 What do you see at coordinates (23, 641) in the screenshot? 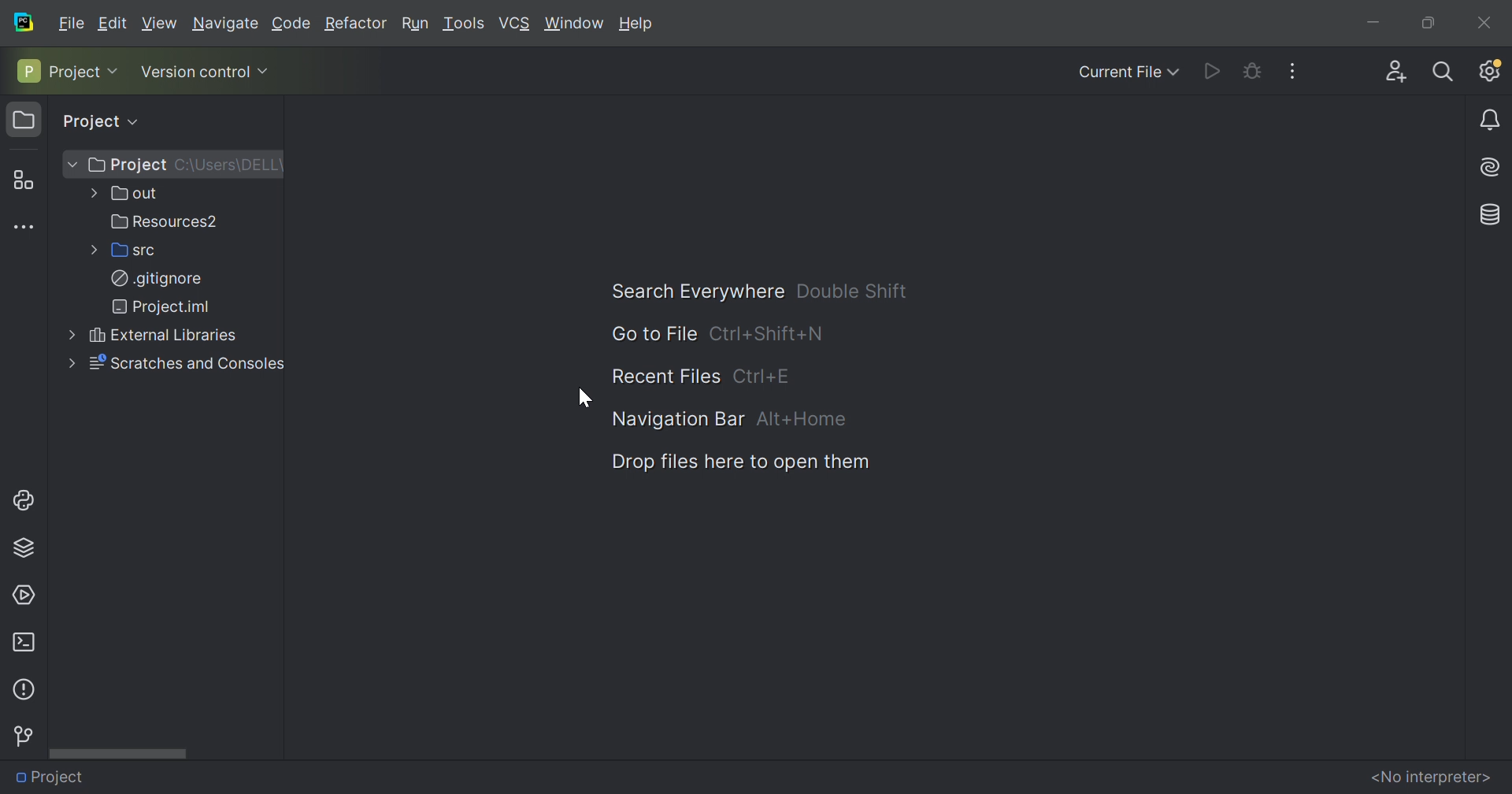
I see `Terminals` at bounding box center [23, 641].